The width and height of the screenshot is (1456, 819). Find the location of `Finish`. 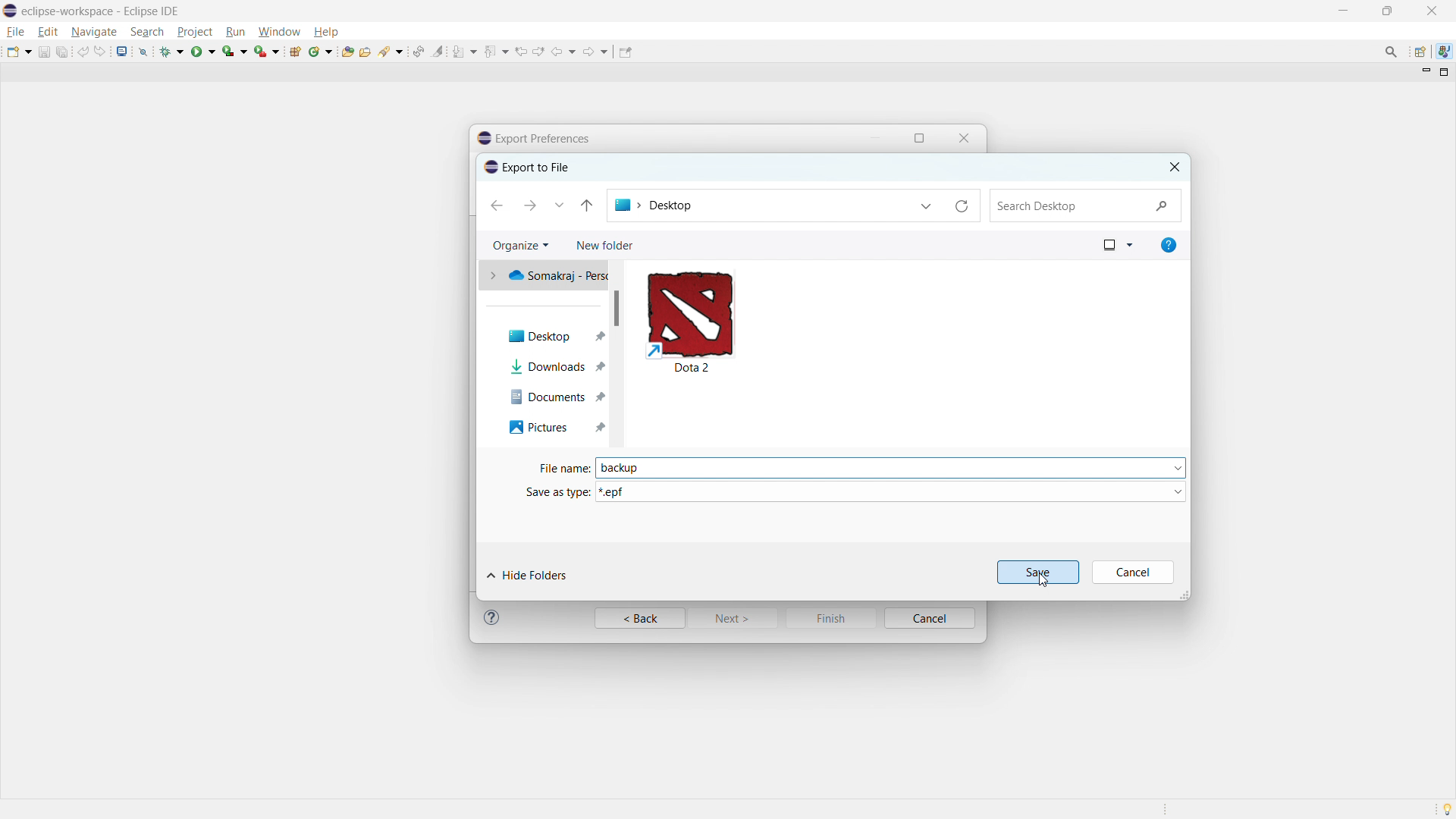

Finish is located at coordinates (833, 618).